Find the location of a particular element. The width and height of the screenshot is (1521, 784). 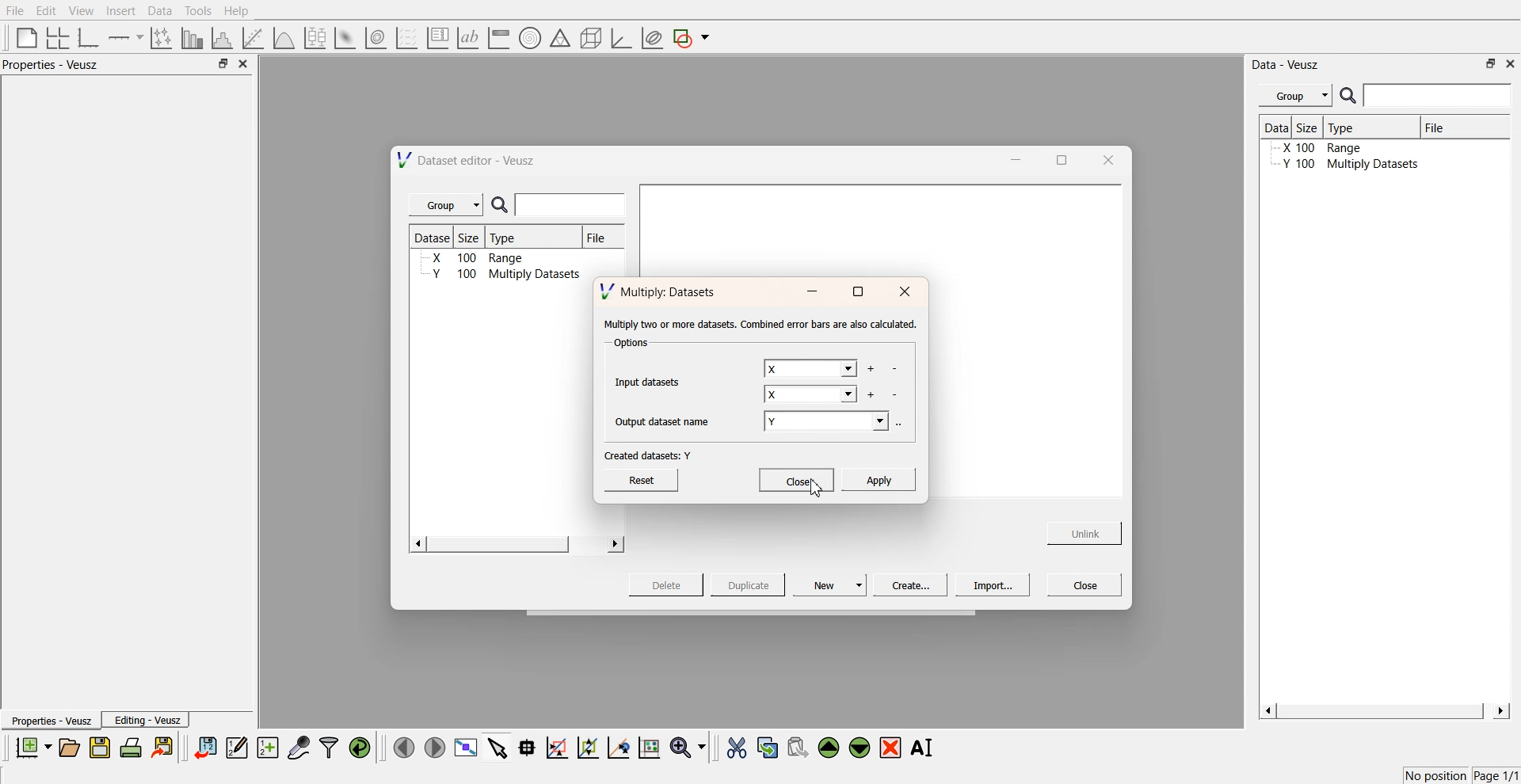

‘Multiply two or more datasets. Combined error bars are also calculated. is located at coordinates (760, 325).